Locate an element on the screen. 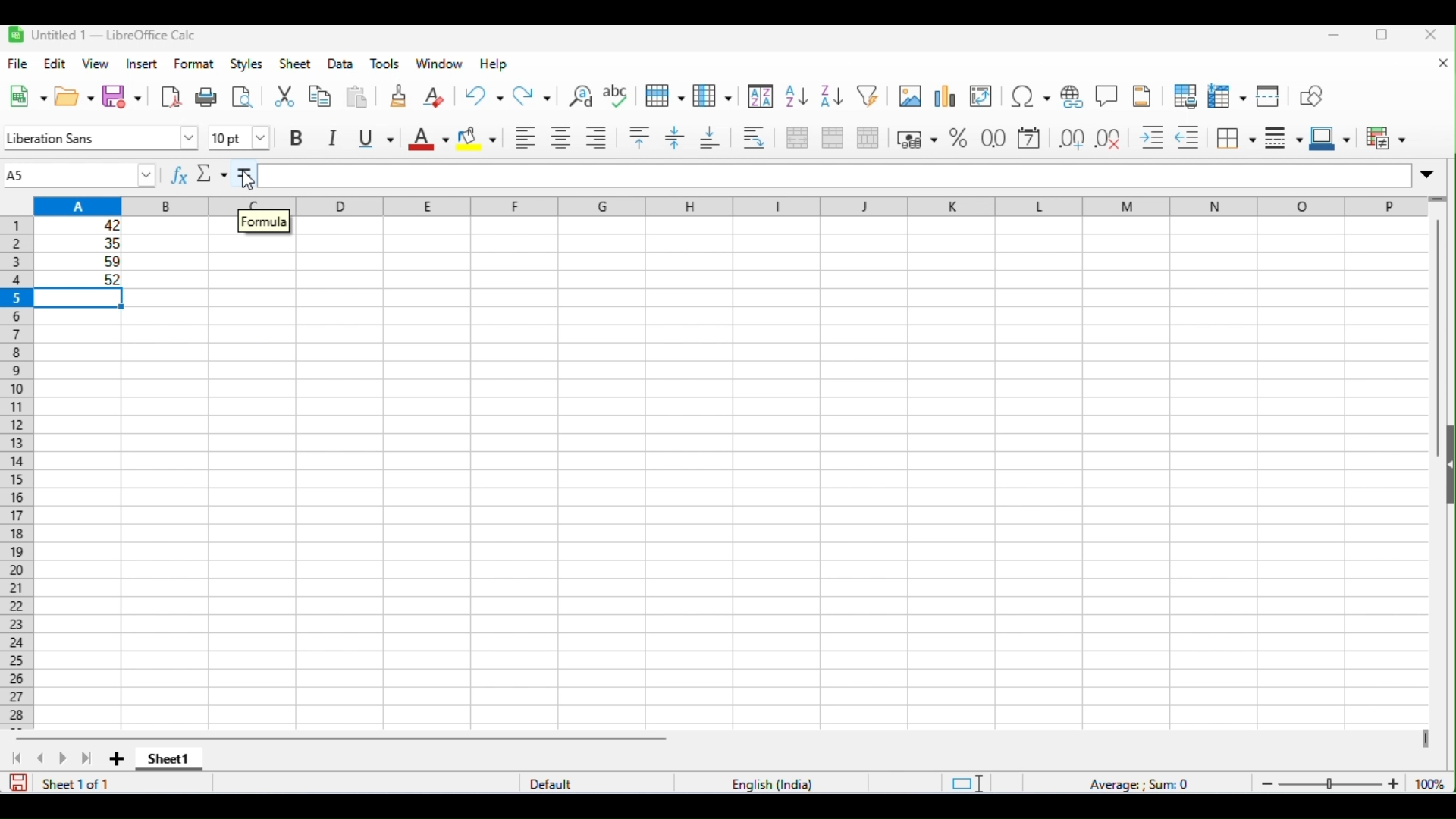 The image size is (1456, 819). save is located at coordinates (123, 96).